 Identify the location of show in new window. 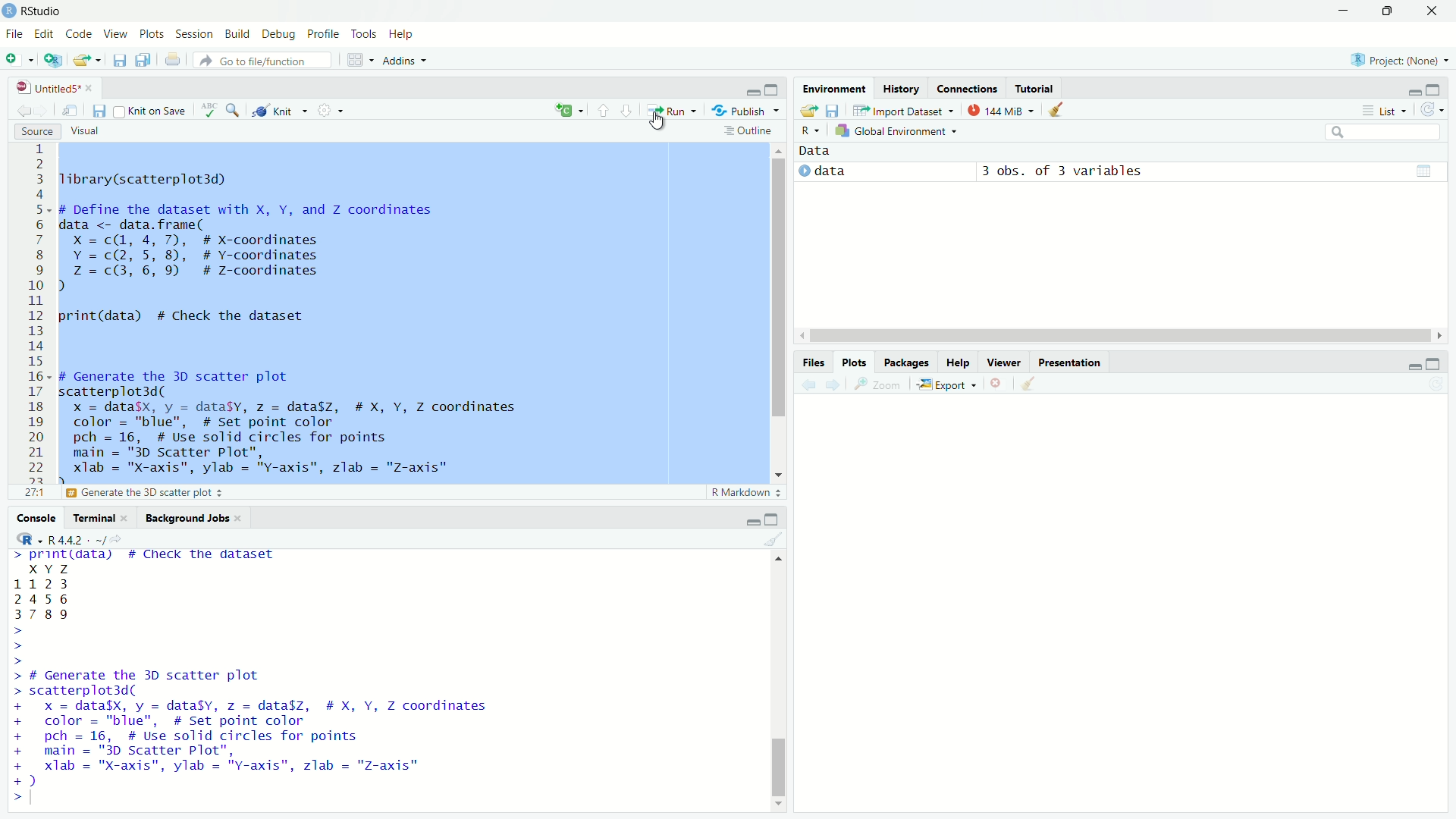
(70, 111).